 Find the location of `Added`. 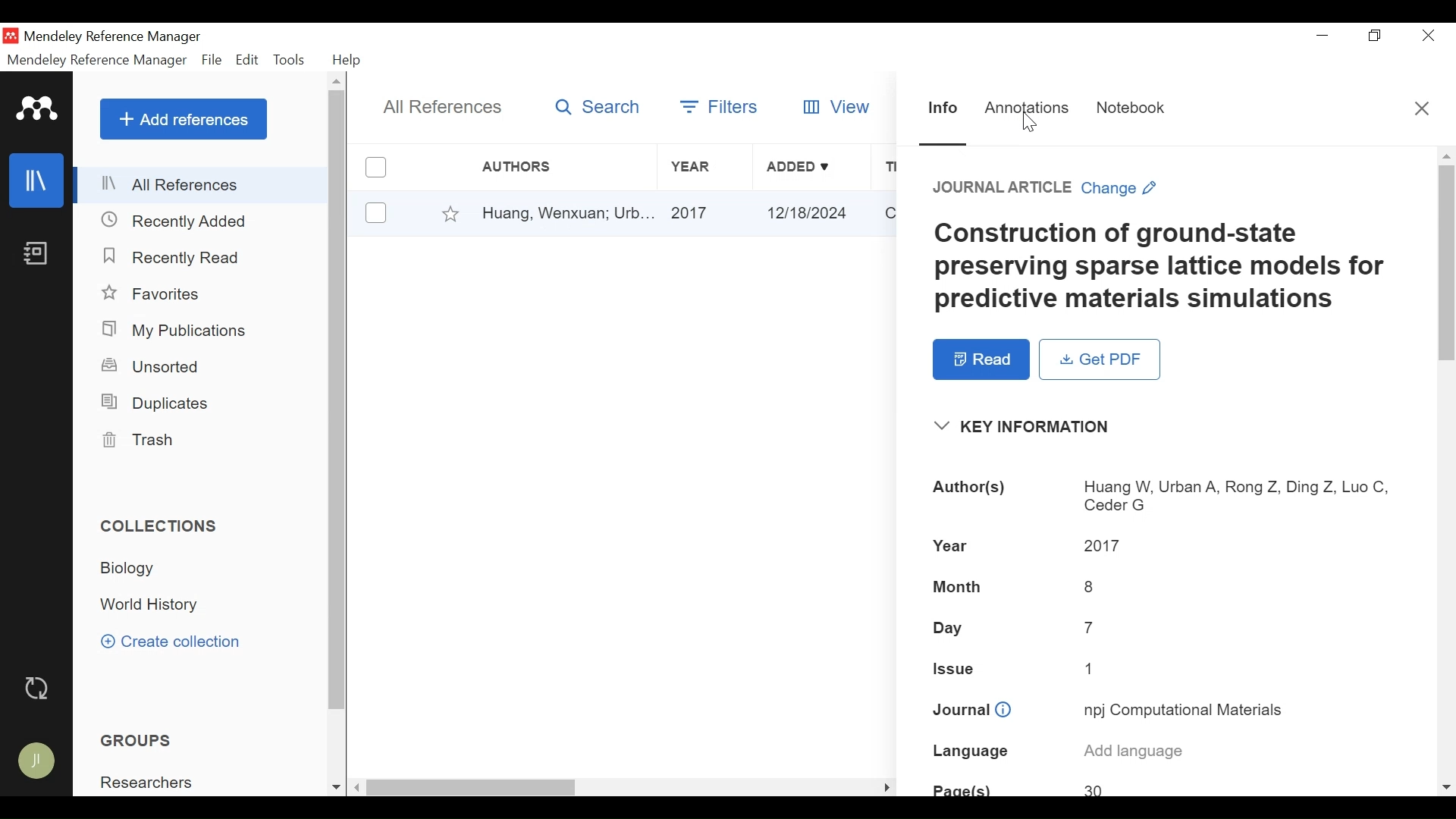

Added is located at coordinates (811, 168).